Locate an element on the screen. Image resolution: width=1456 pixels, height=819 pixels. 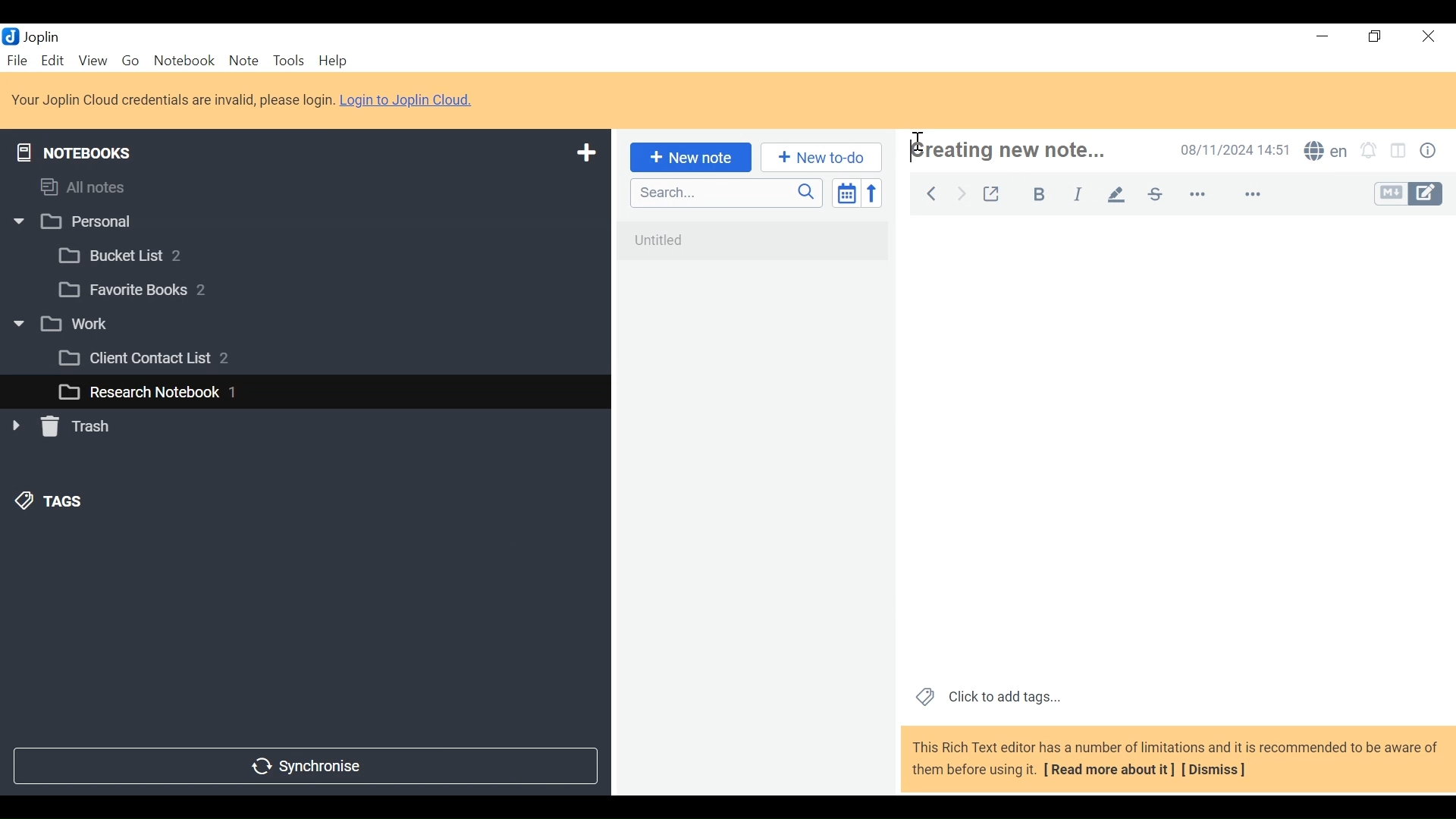
L_] Research Notebook is located at coordinates (138, 393).